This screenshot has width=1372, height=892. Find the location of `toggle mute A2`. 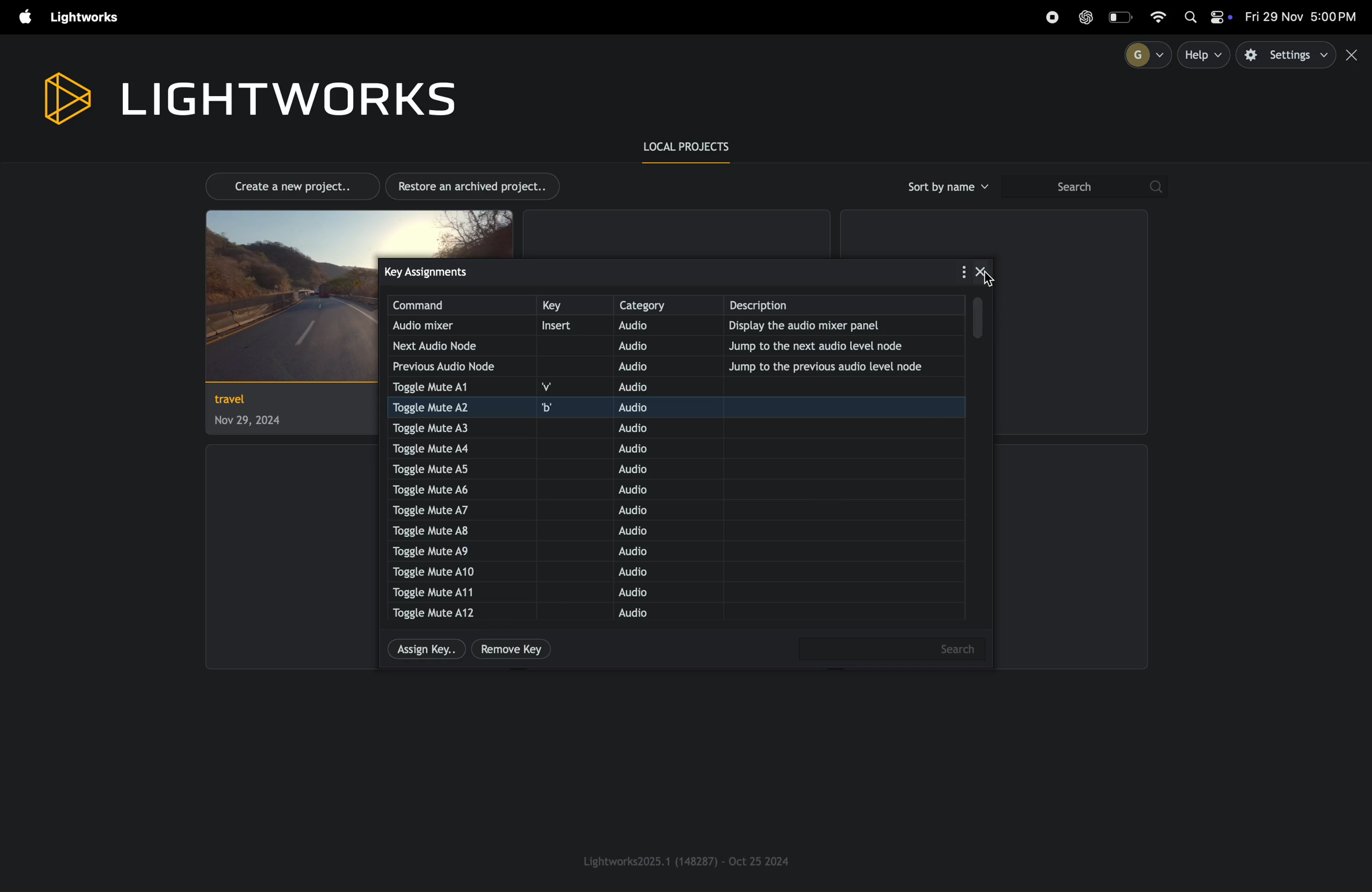

toggle mute A2 is located at coordinates (461, 407).